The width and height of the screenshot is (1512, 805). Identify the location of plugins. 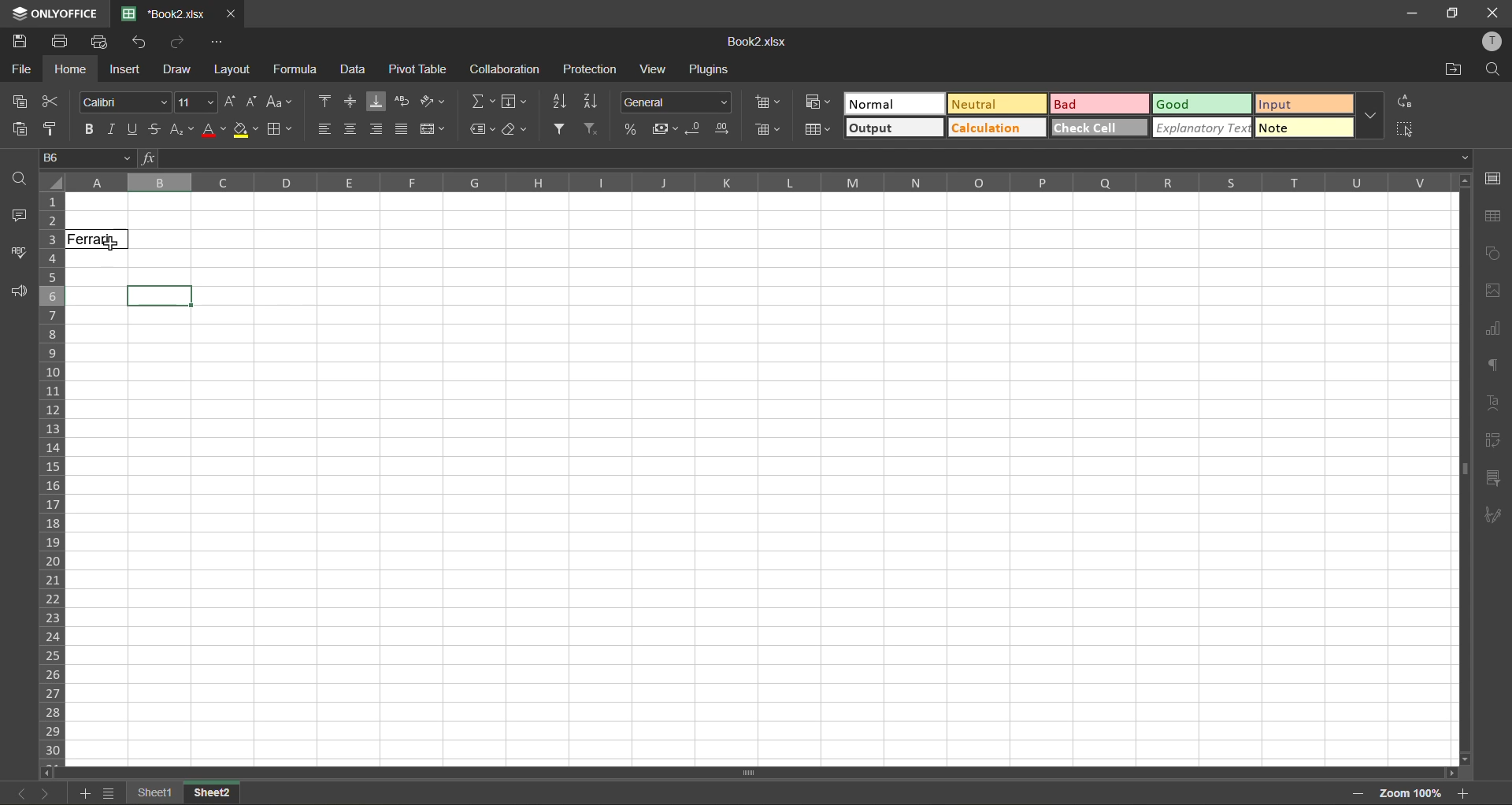
(711, 69).